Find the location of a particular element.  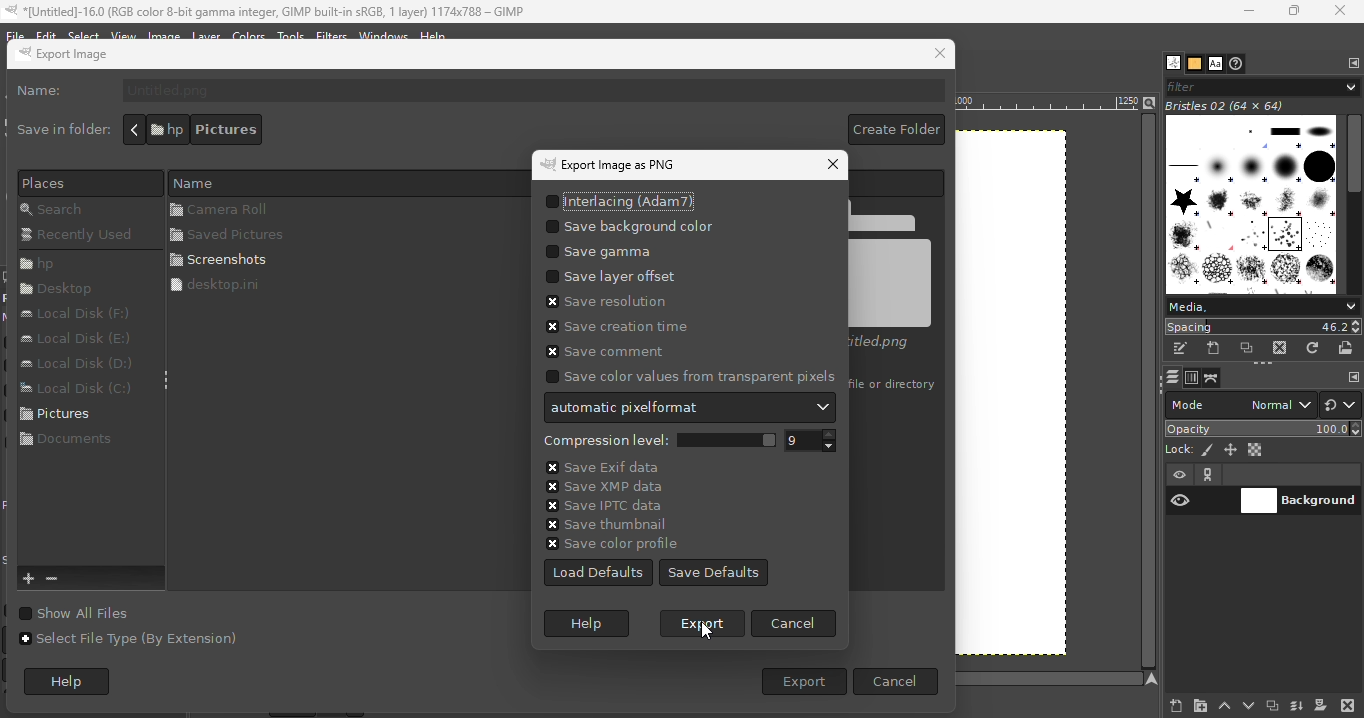

Create a new layer is located at coordinates (1166, 705).